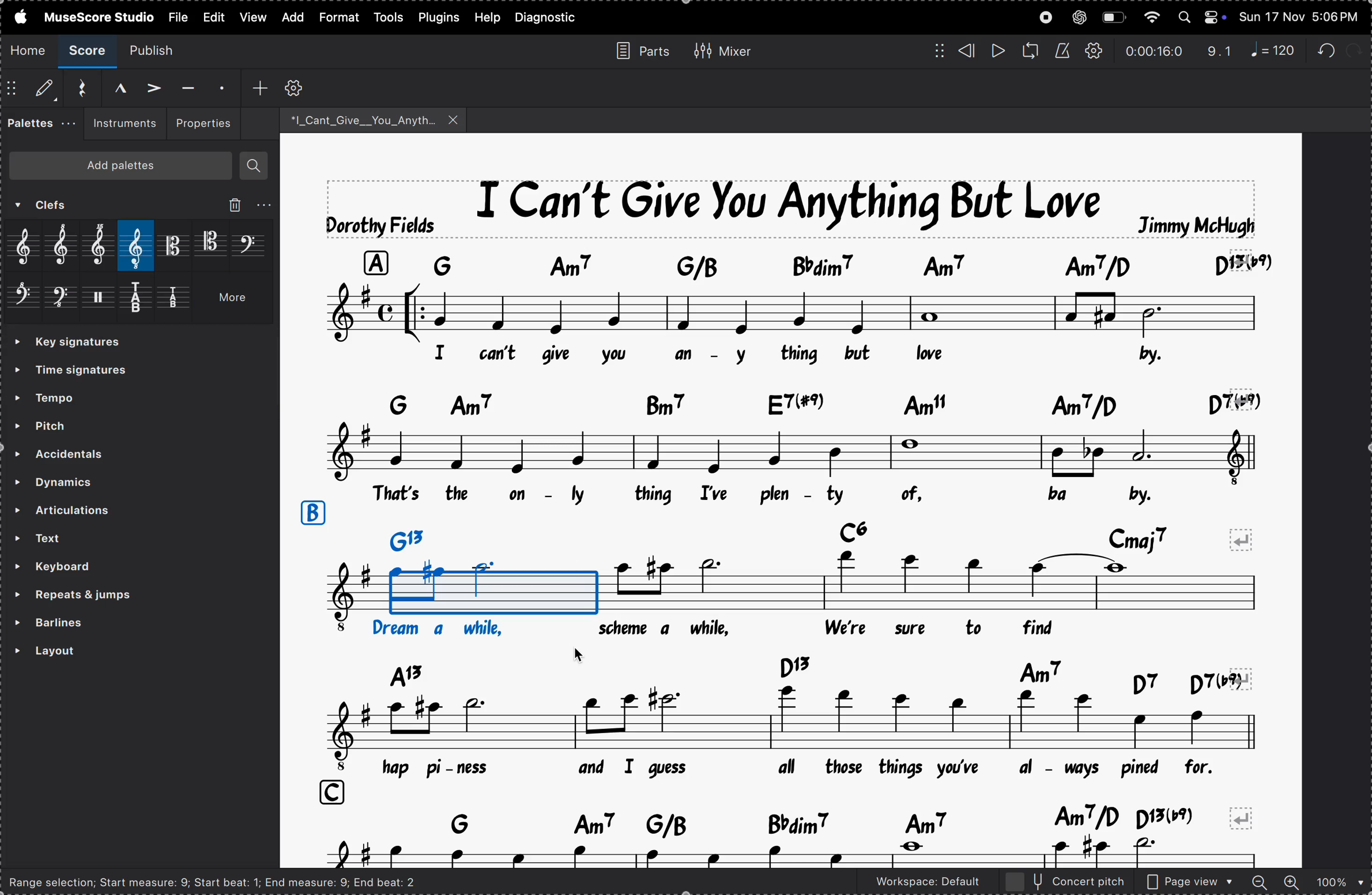 The width and height of the screenshot is (1372, 895). What do you see at coordinates (337, 18) in the screenshot?
I see `format` at bounding box center [337, 18].